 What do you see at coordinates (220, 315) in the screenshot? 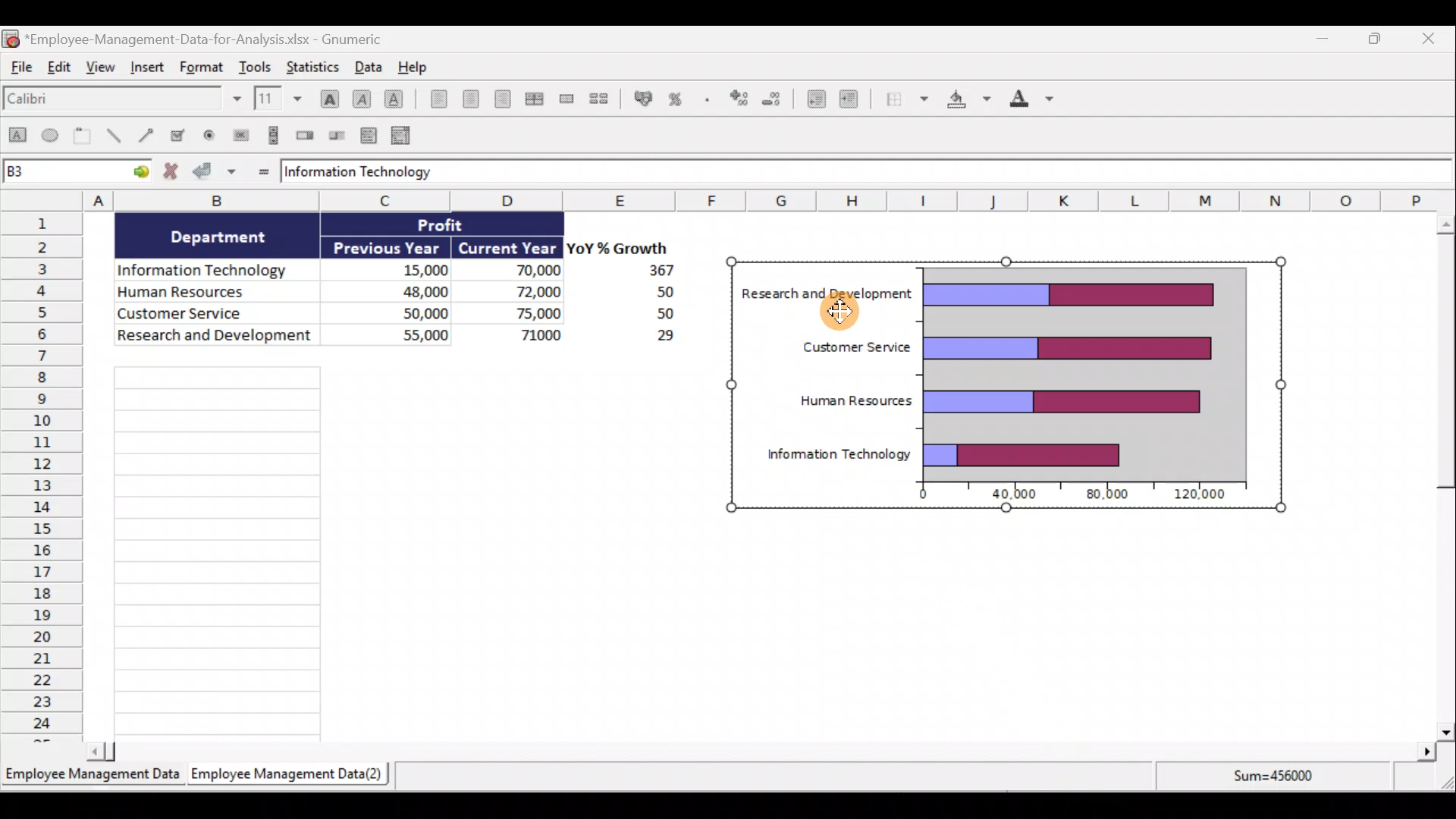
I see `Customer Service` at bounding box center [220, 315].